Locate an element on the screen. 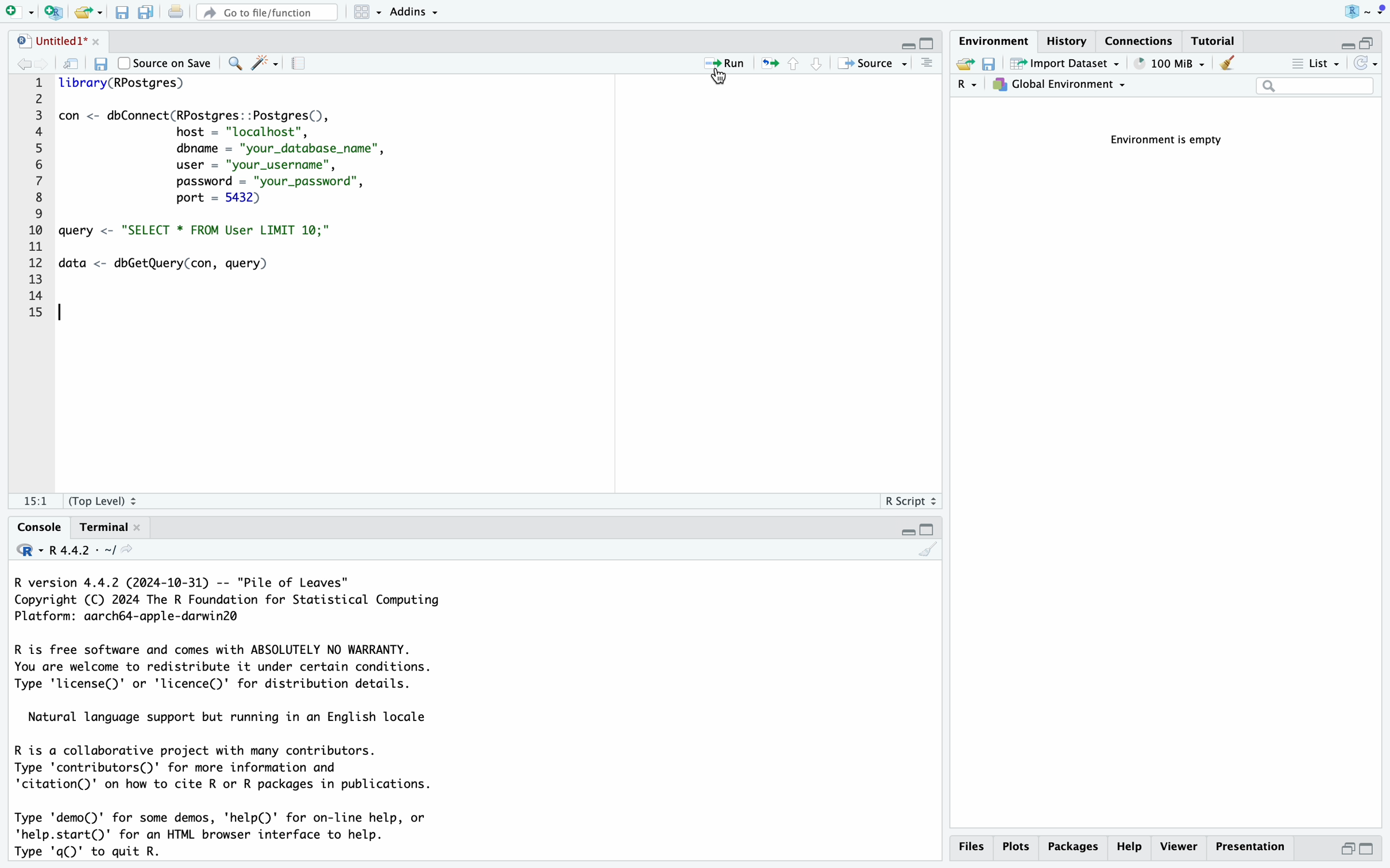  connections is located at coordinates (1142, 40).